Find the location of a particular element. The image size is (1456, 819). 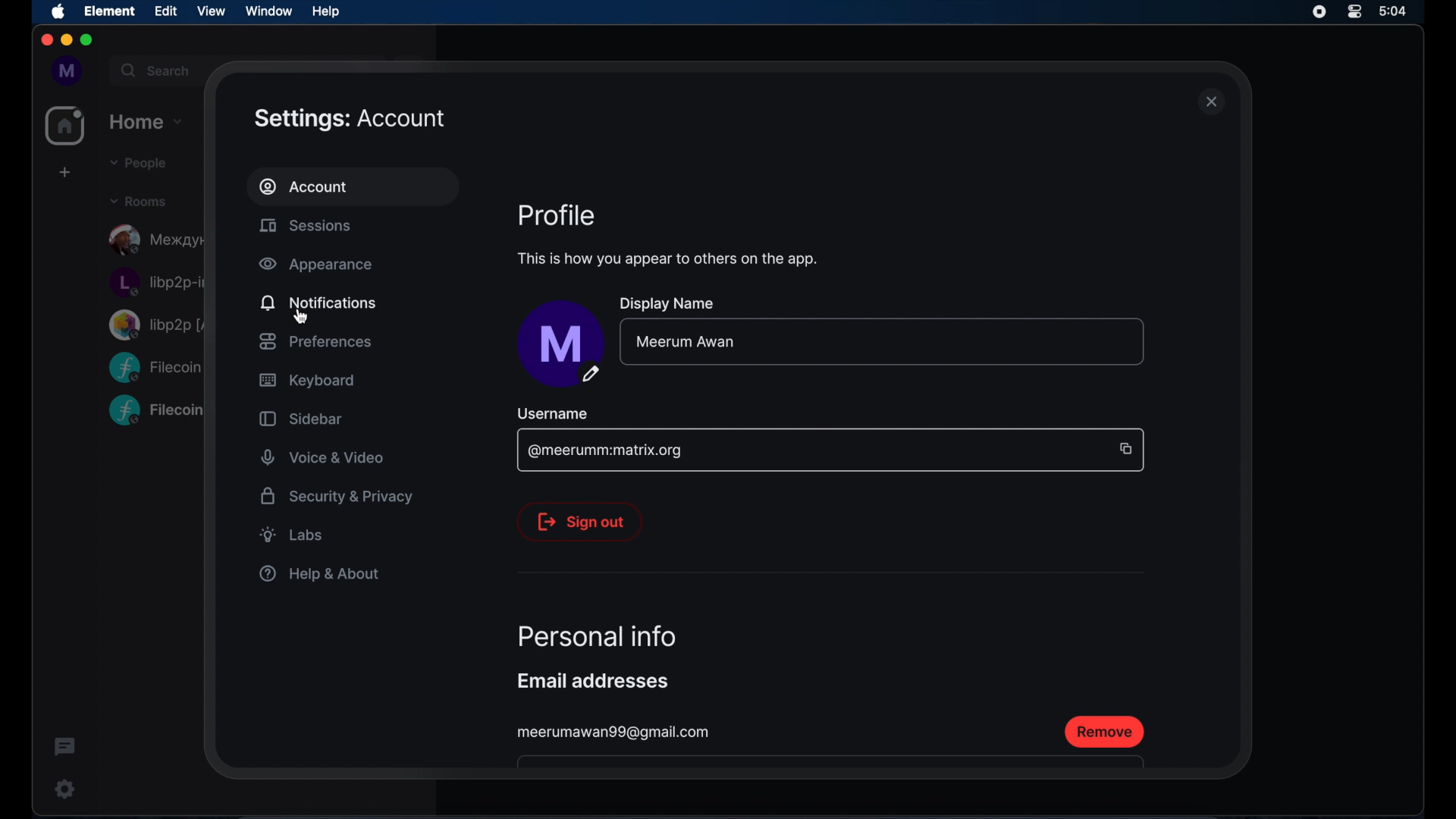

search is located at coordinates (154, 68).